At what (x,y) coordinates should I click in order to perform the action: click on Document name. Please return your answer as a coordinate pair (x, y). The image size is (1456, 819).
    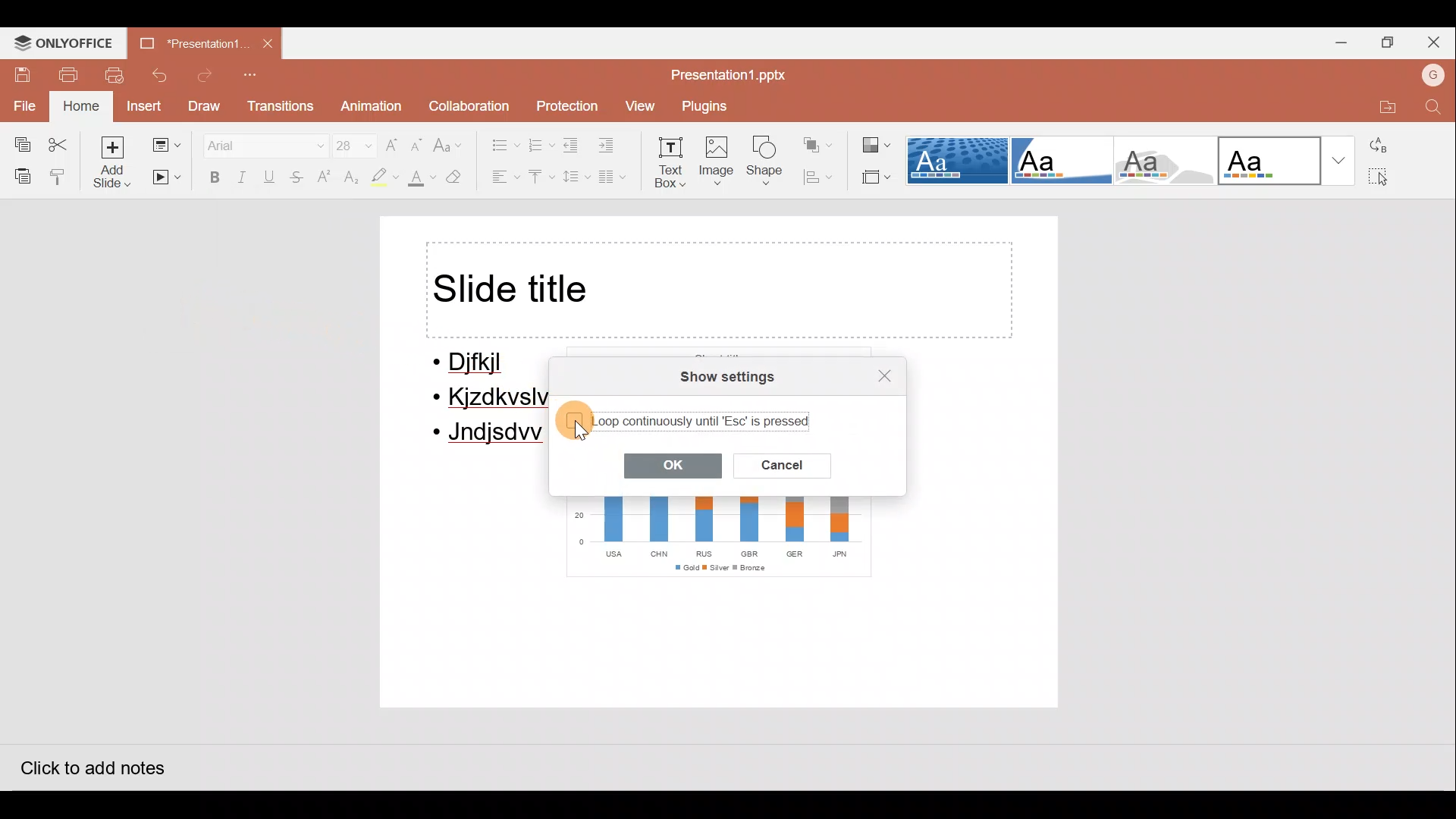
    Looking at the image, I should click on (186, 40).